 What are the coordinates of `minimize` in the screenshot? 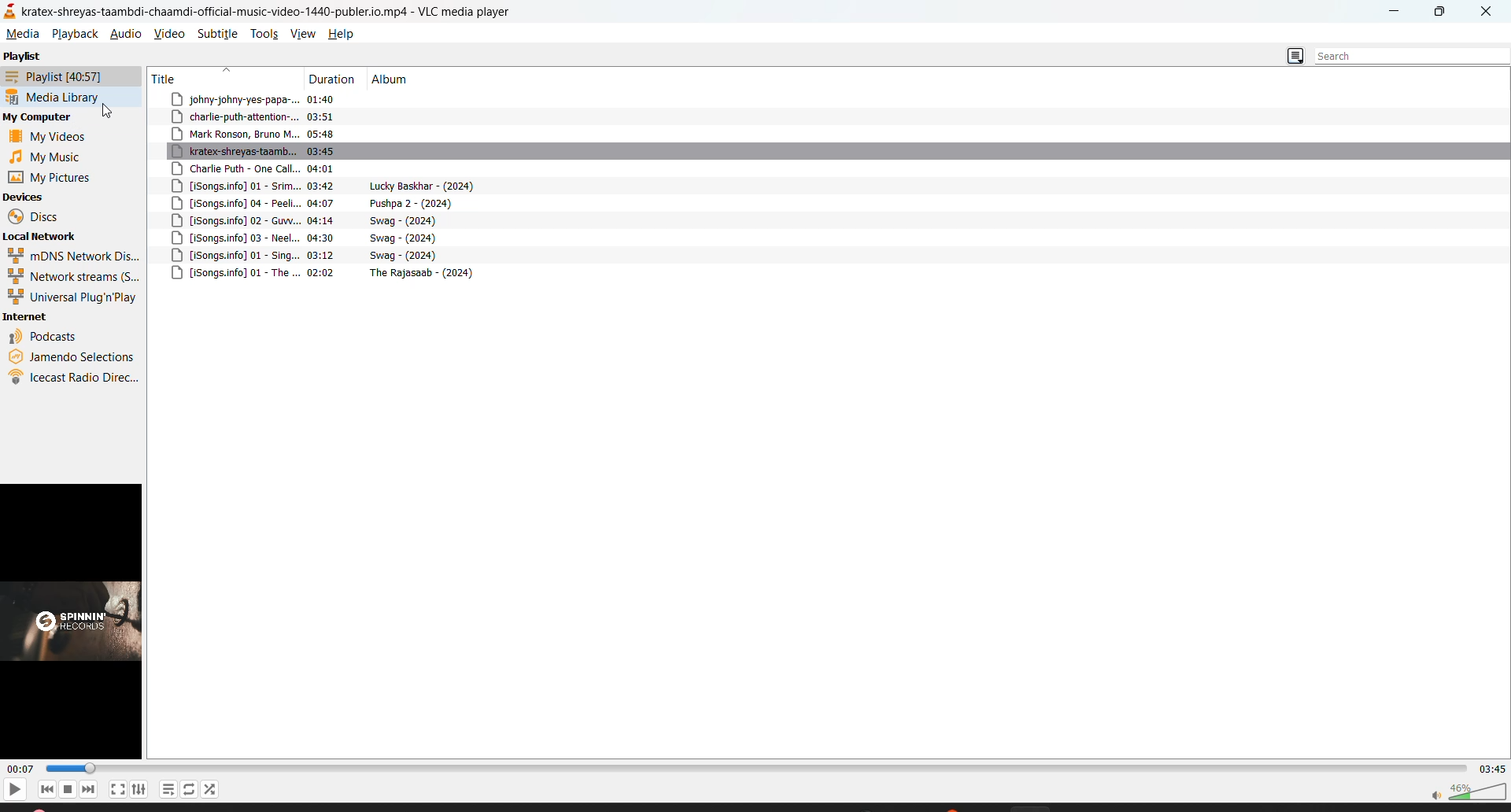 It's located at (1398, 14).